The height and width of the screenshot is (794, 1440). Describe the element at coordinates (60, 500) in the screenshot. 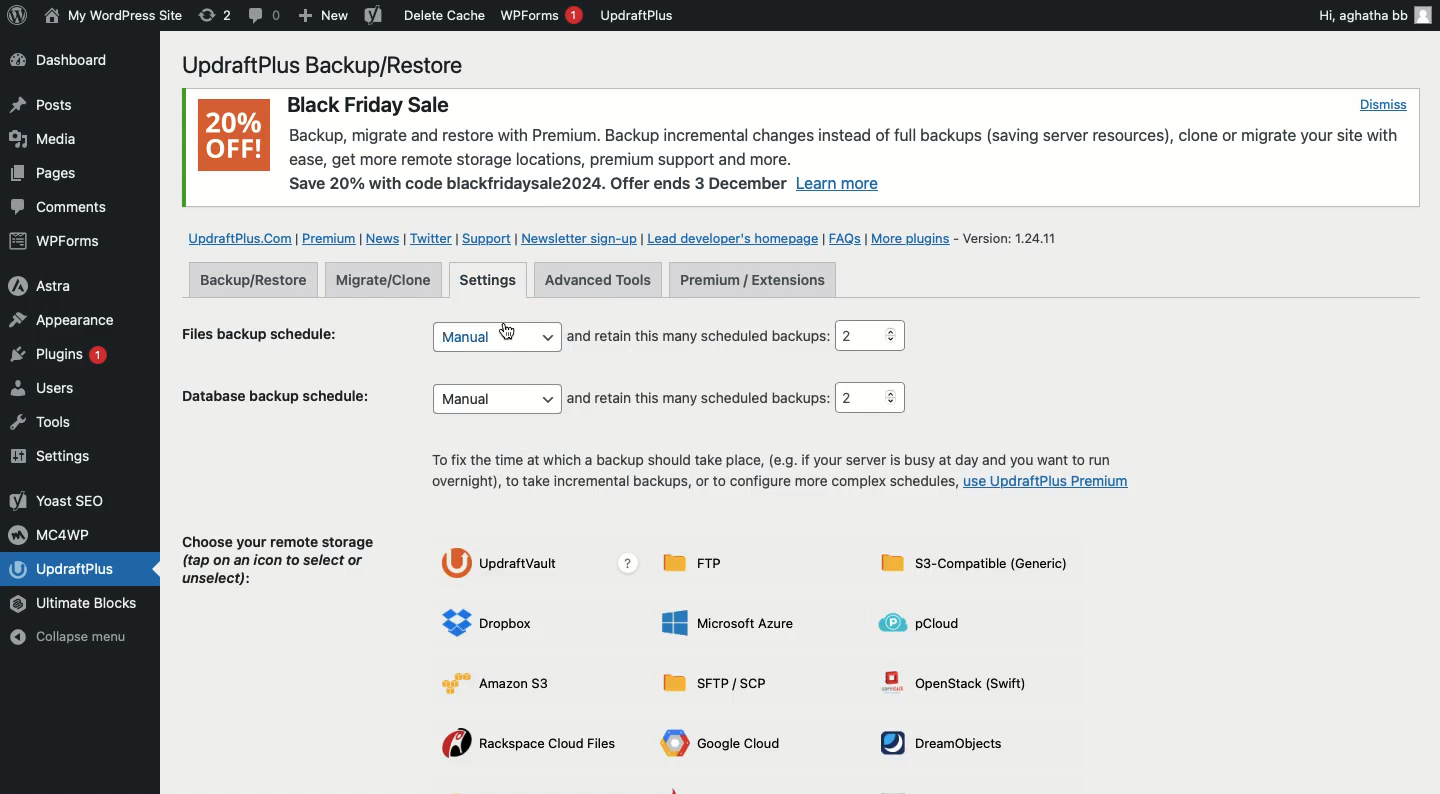

I see `Yoast SEO` at that location.